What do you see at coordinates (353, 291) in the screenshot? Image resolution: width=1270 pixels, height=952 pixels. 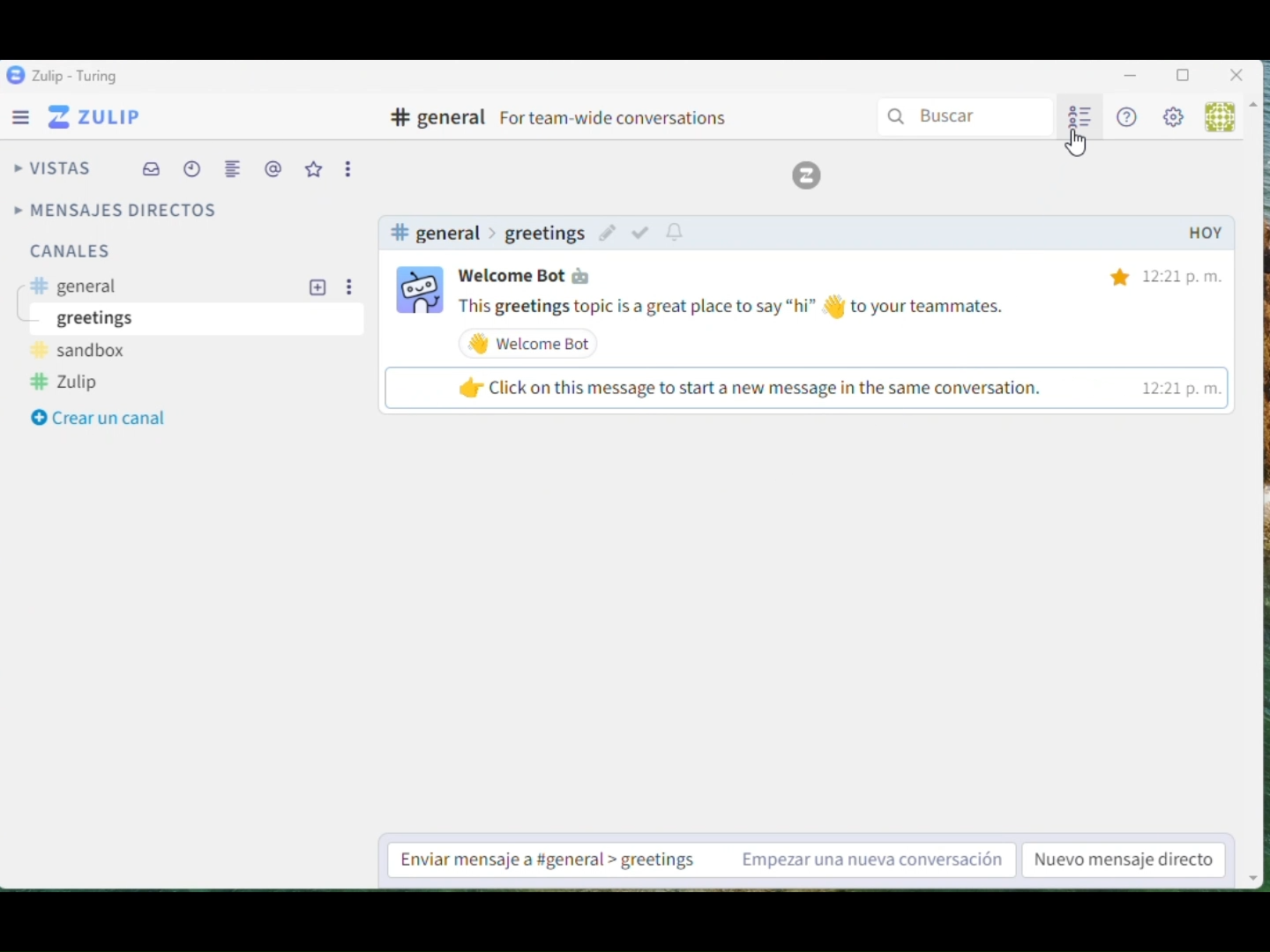 I see `options` at bounding box center [353, 291].